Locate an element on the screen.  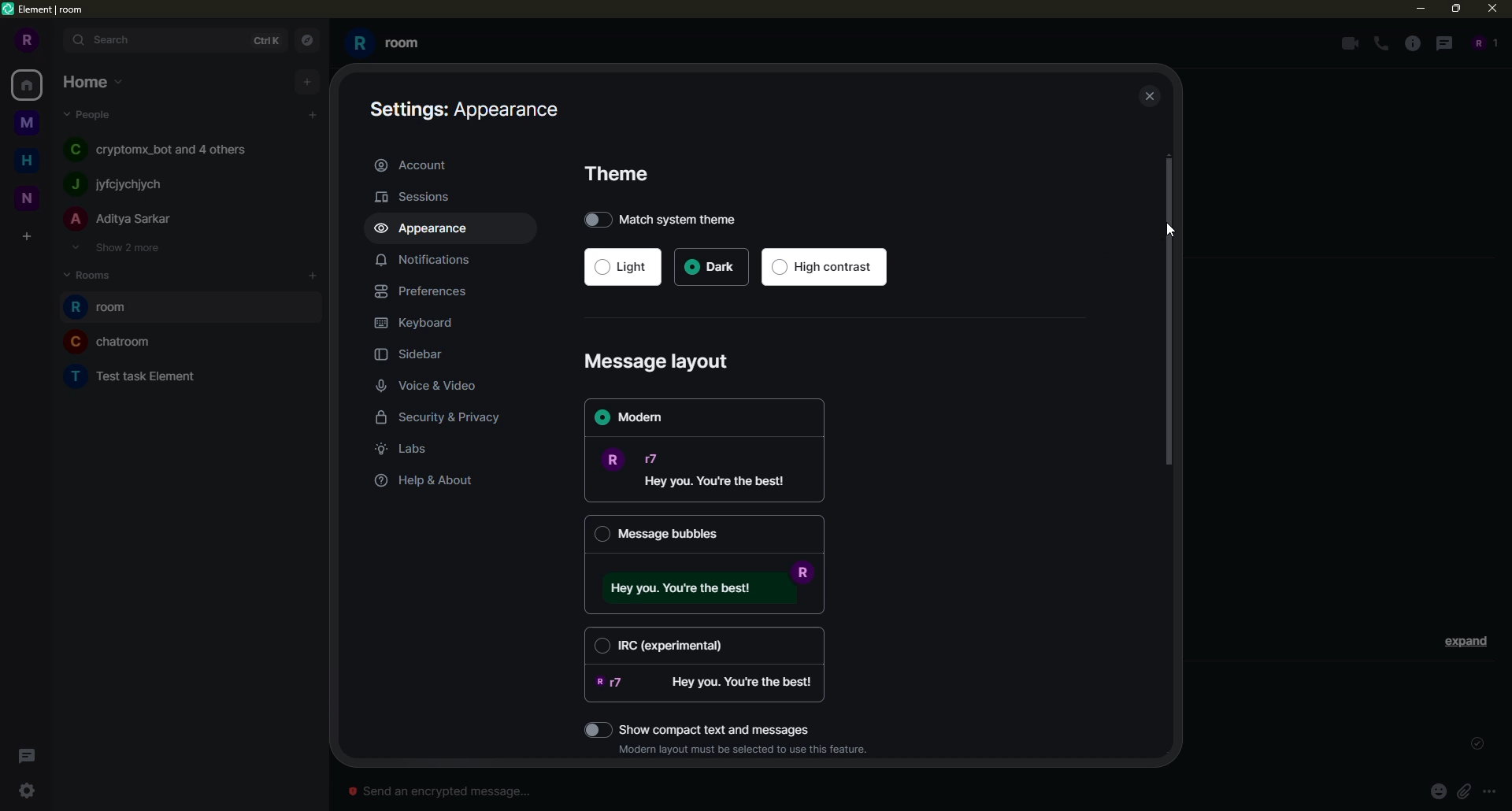
sessions is located at coordinates (422, 196).